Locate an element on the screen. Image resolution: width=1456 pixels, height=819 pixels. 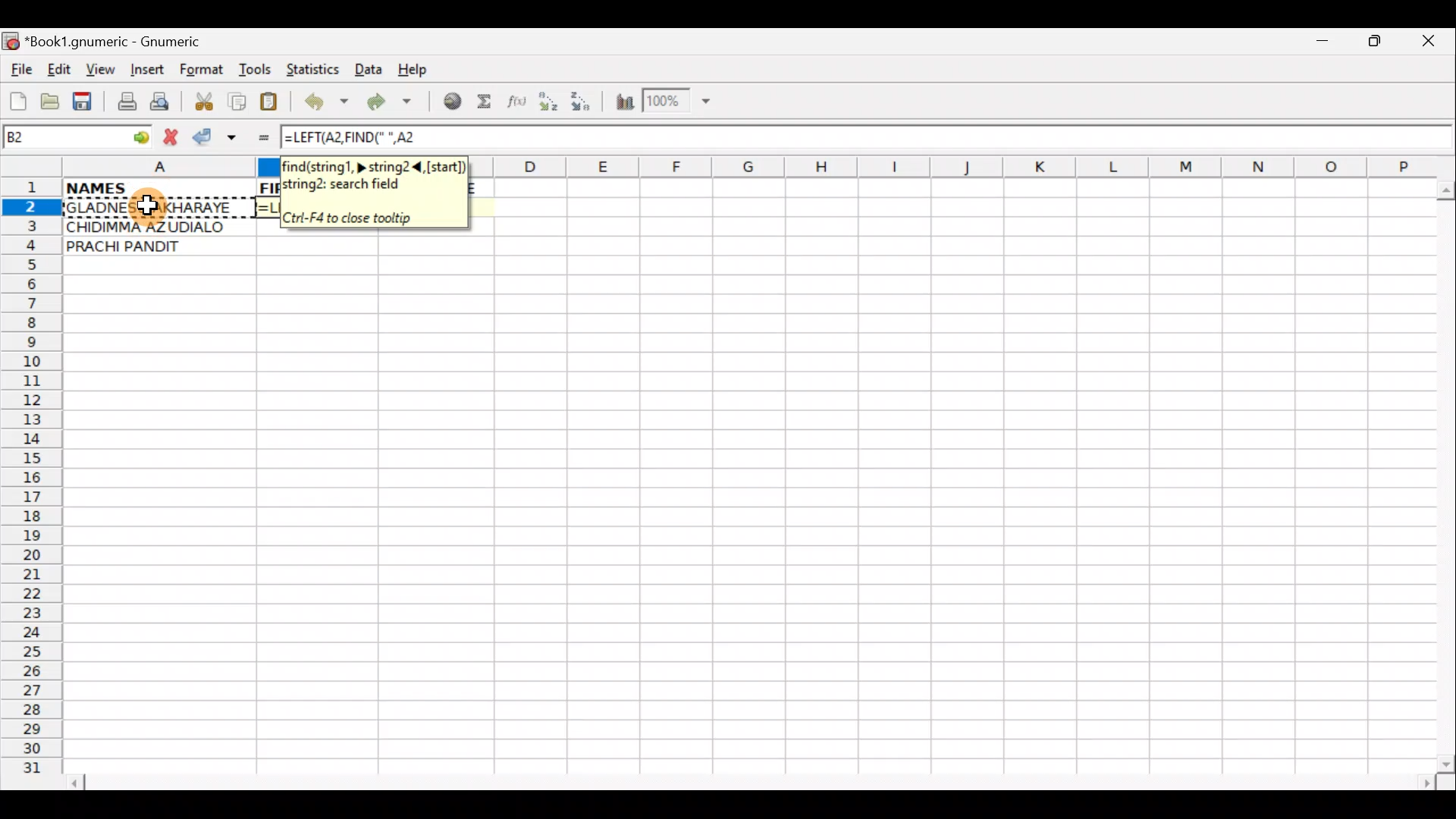
Edit is located at coordinates (58, 69).